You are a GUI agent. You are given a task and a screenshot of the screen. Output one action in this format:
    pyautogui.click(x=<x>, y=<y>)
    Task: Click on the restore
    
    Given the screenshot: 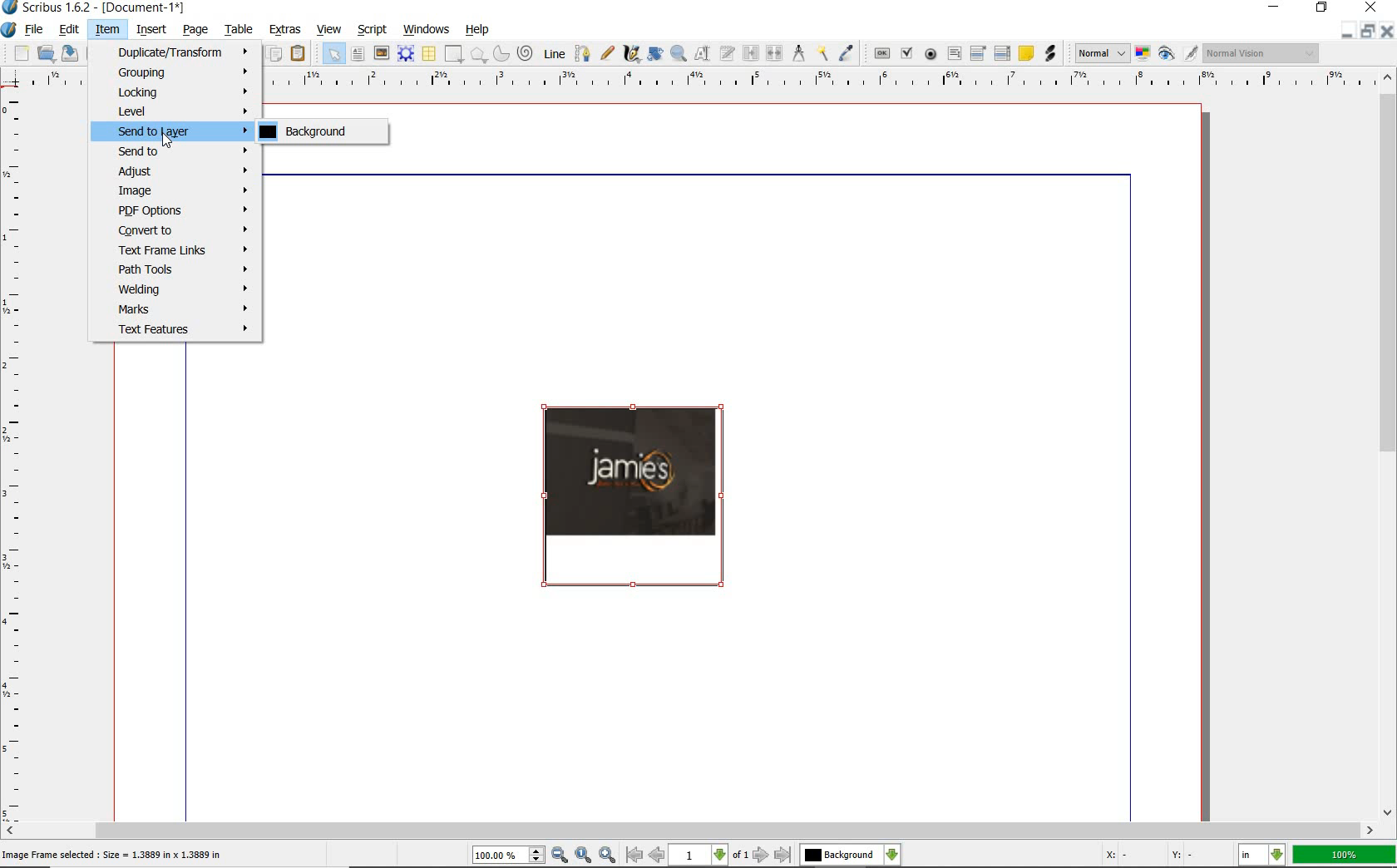 What is the action you would take?
    pyautogui.click(x=1324, y=8)
    